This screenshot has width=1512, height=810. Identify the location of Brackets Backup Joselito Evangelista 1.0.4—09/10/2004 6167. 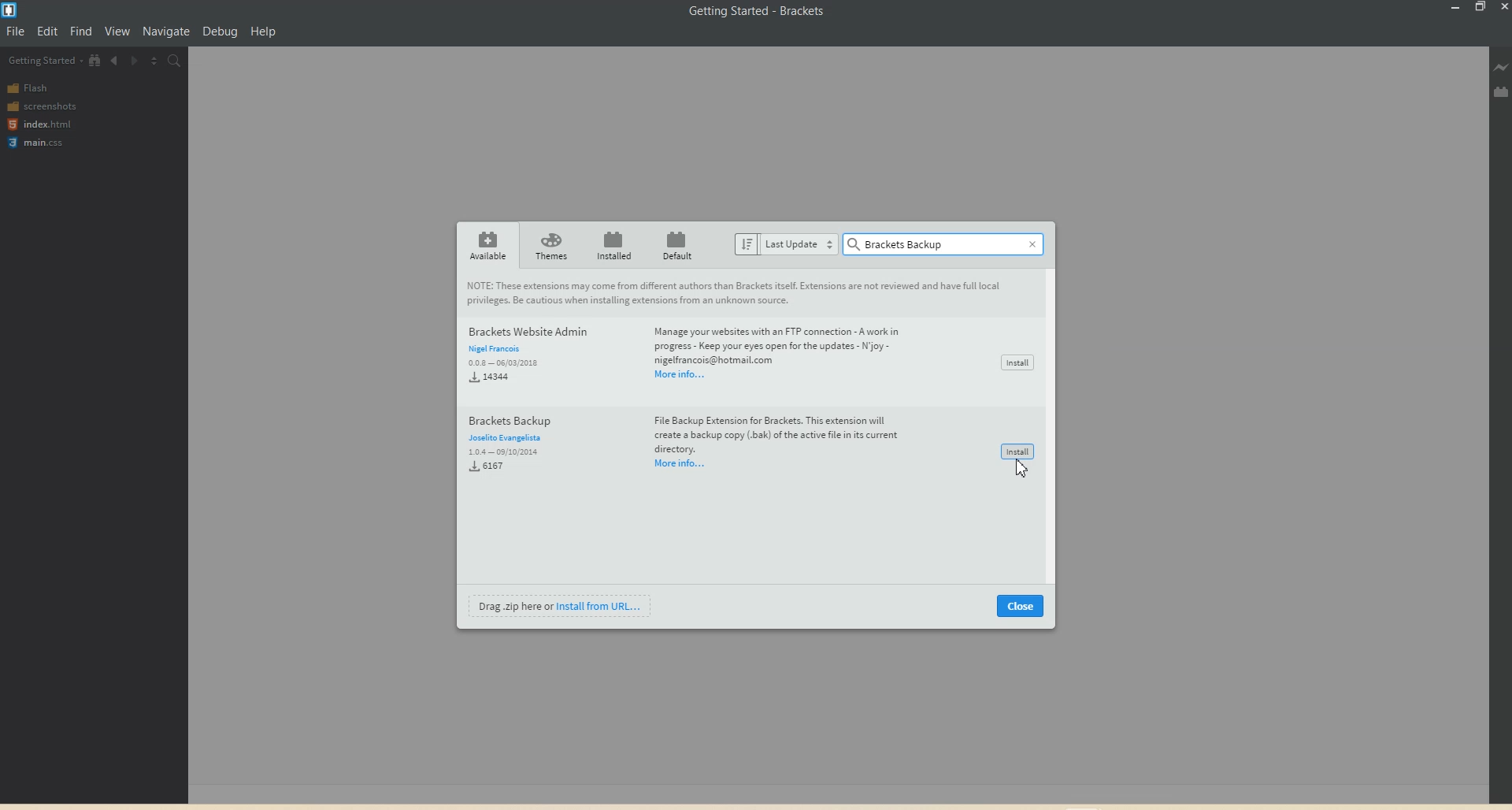
(519, 446).